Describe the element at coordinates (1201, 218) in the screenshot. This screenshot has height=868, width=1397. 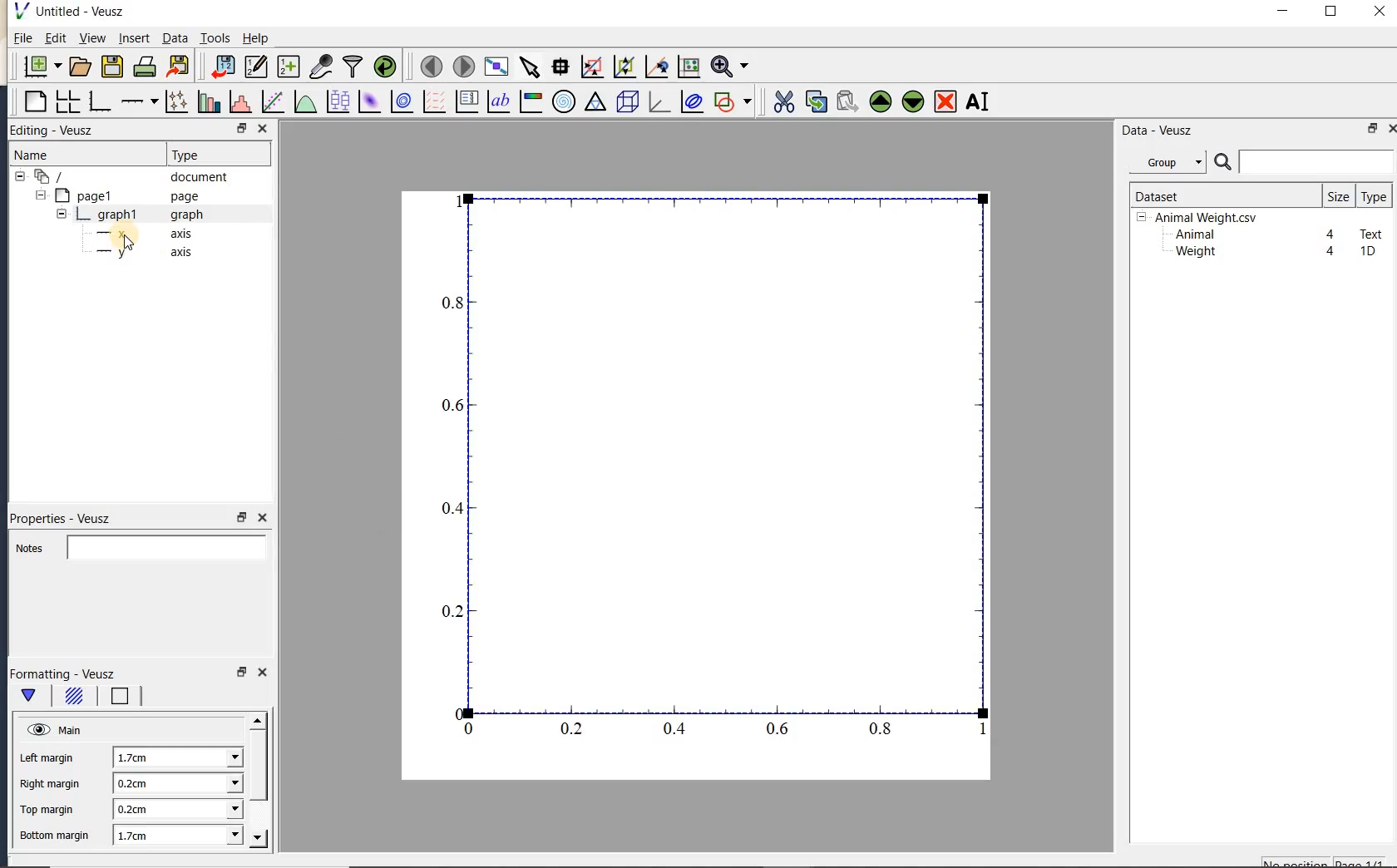
I see `Animalweight.csv` at that location.